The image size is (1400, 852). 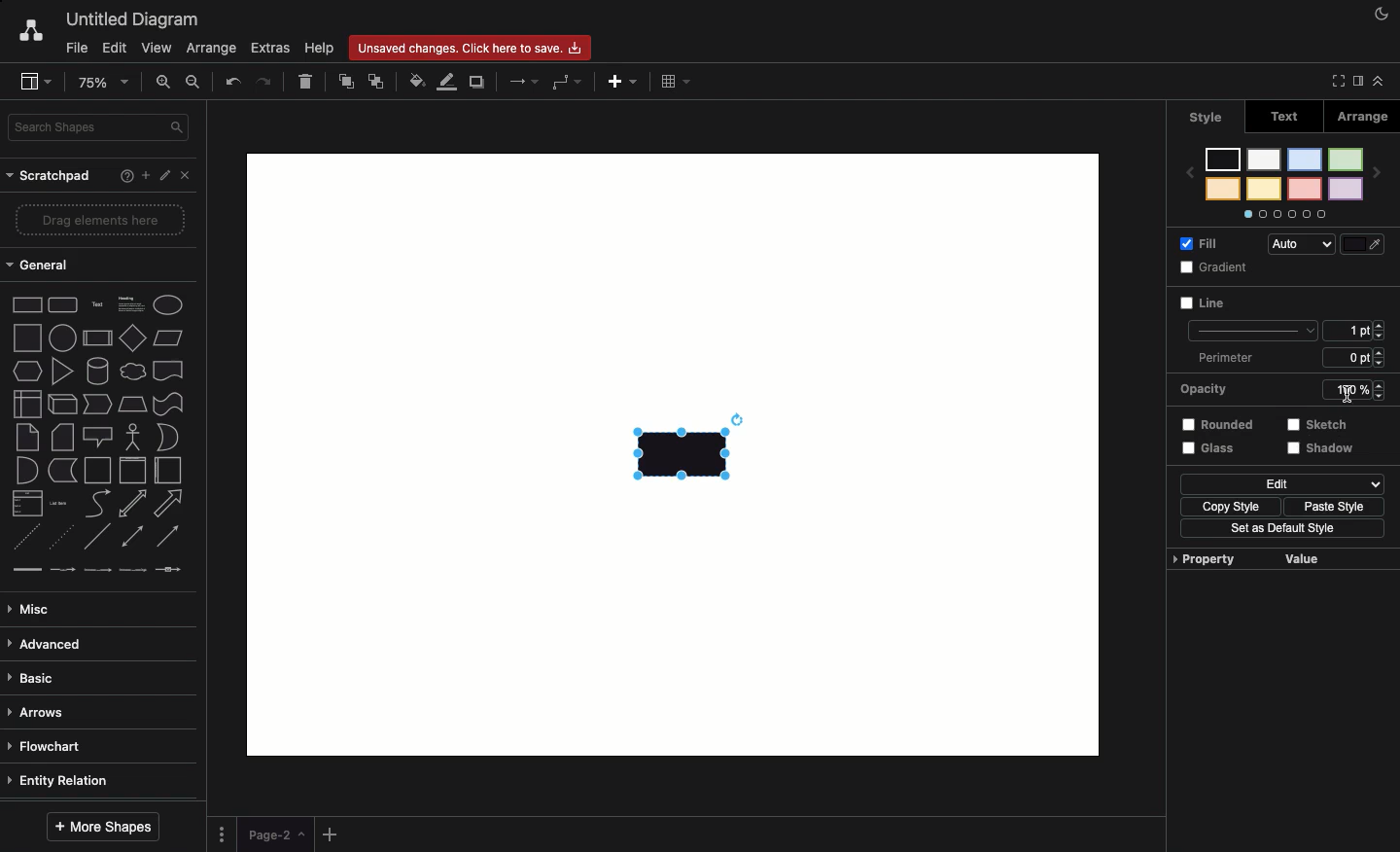 What do you see at coordinates (1263, 190) in the screenshot?
I see `color 6` at bounding box center [1263, 190].